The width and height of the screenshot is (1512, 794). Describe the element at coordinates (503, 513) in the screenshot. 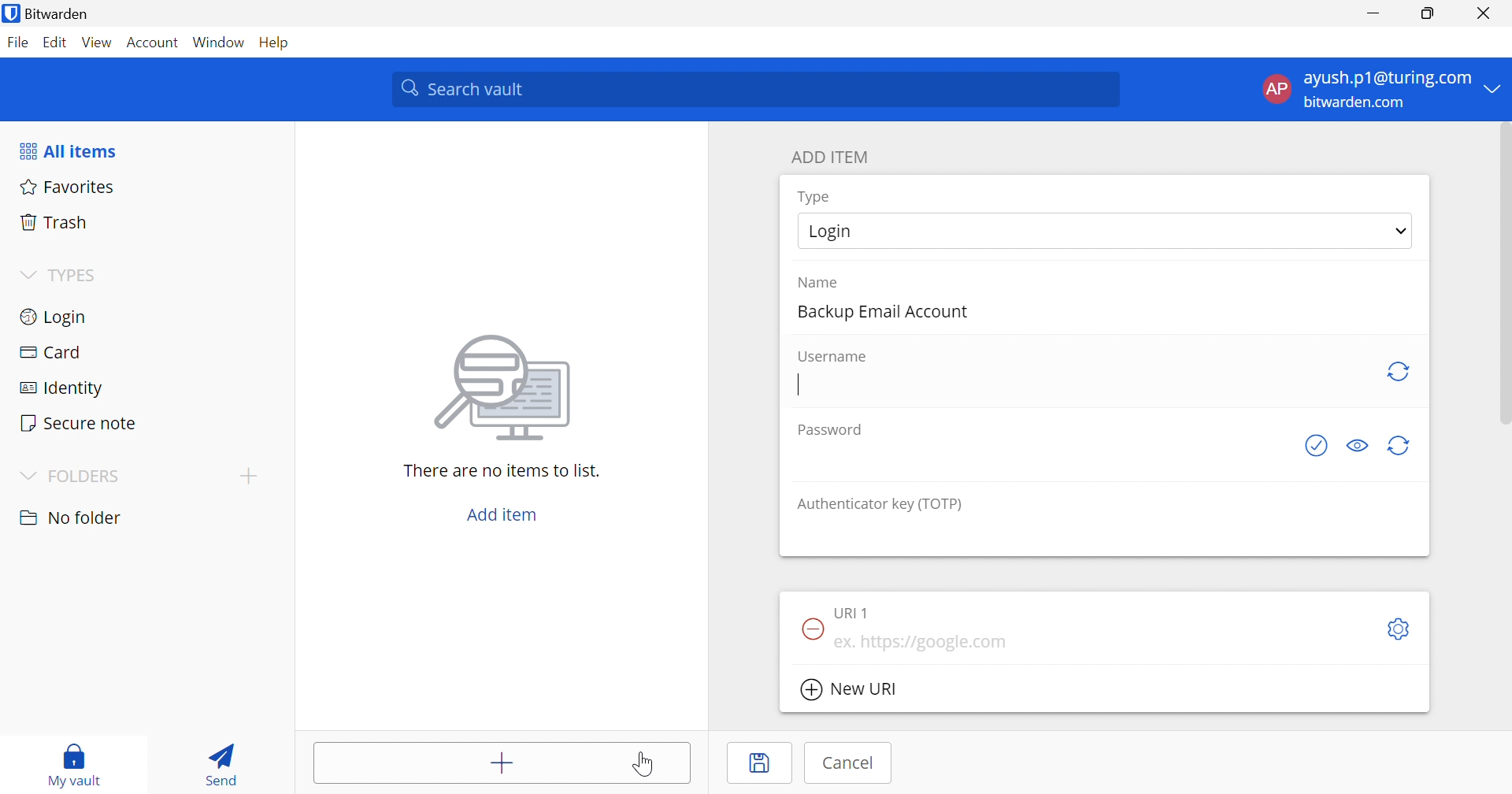

I see `Add item` at that location.